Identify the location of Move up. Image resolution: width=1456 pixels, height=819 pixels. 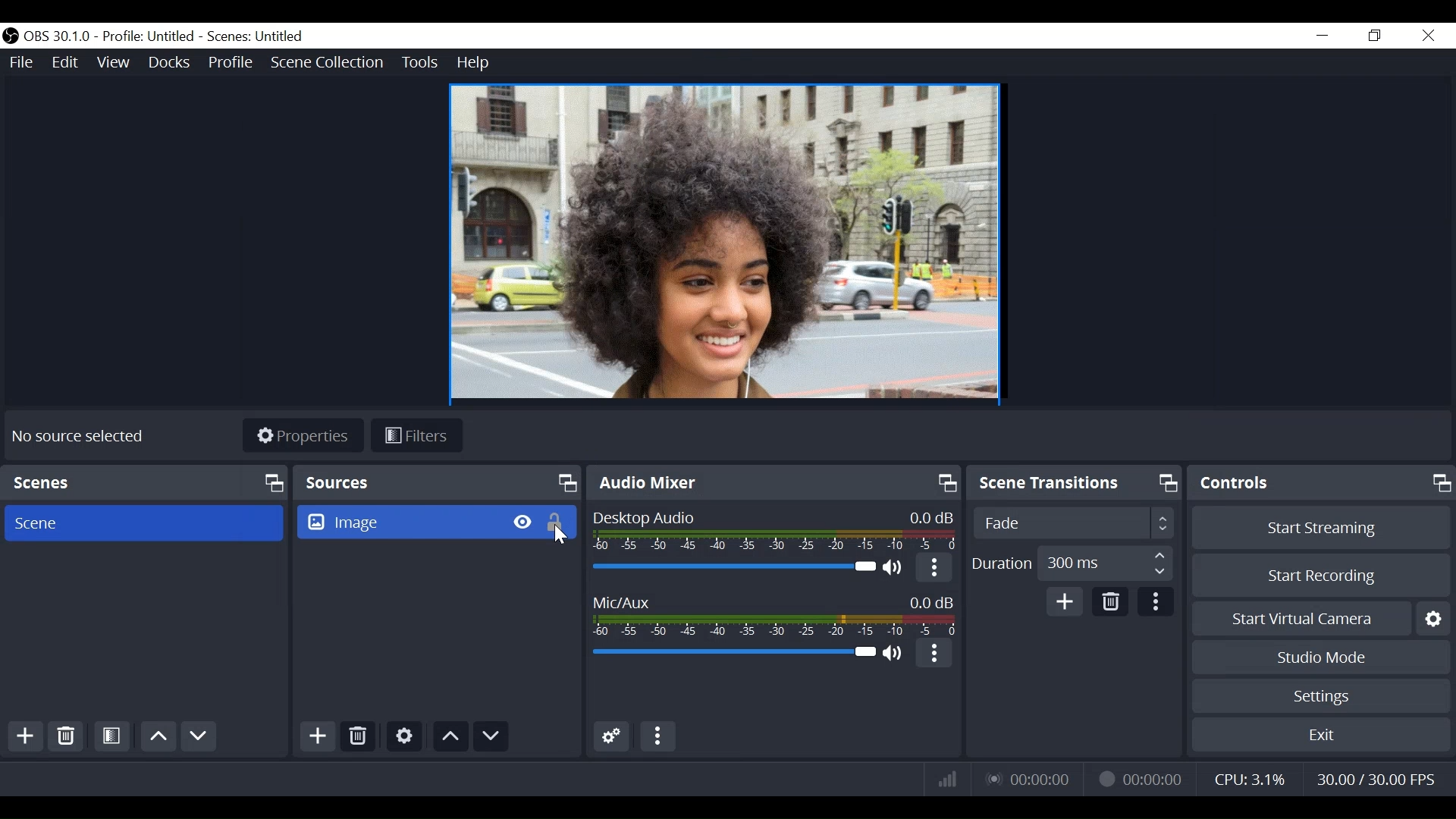
(451, 738).